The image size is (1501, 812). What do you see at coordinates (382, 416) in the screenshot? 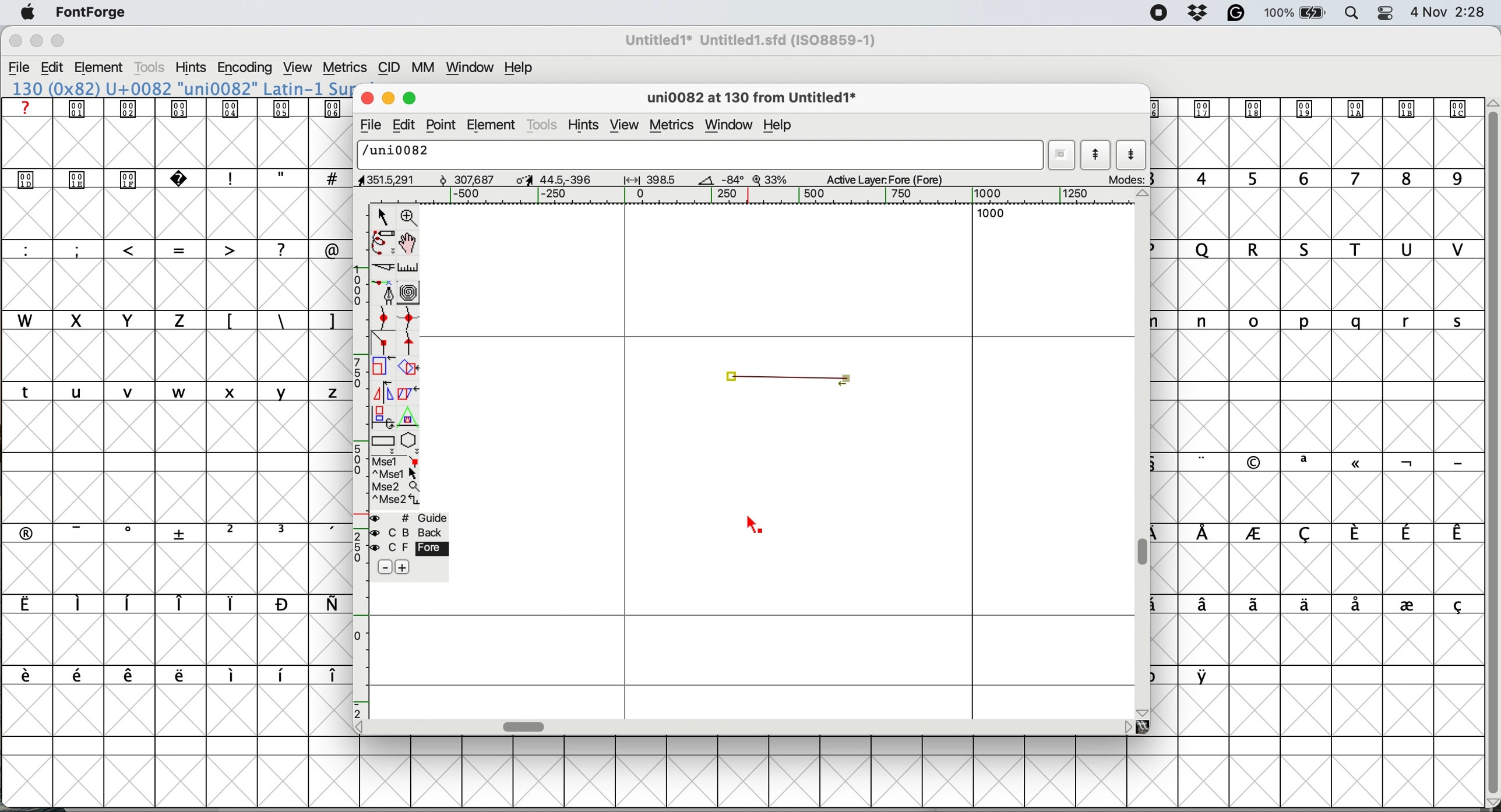
I see `rotate the selection in 3d and project back to plane` at bounding box center [382, 416].